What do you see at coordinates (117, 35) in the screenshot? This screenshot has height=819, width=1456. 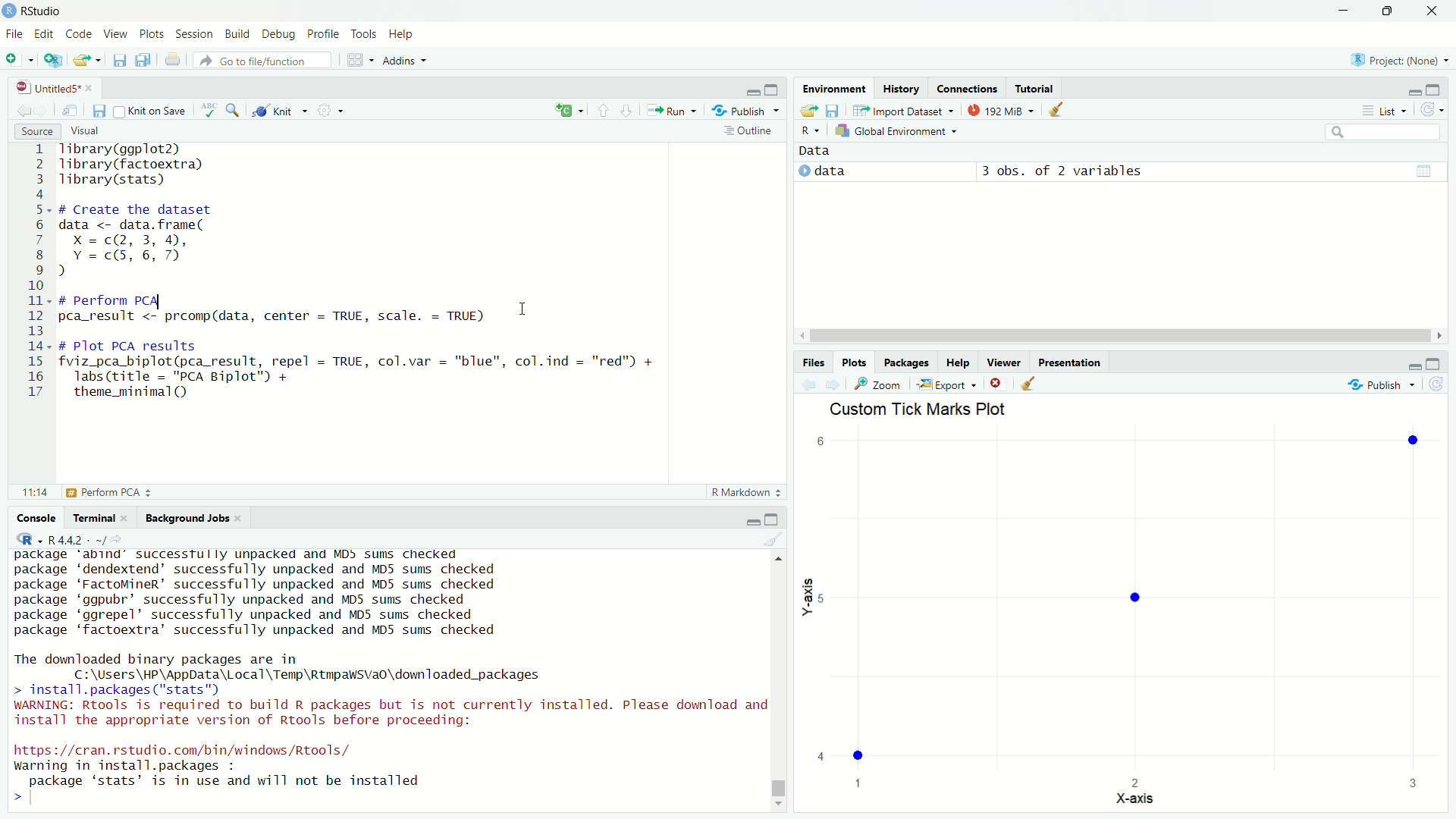 I see `View` at bounding box center [117, 35].